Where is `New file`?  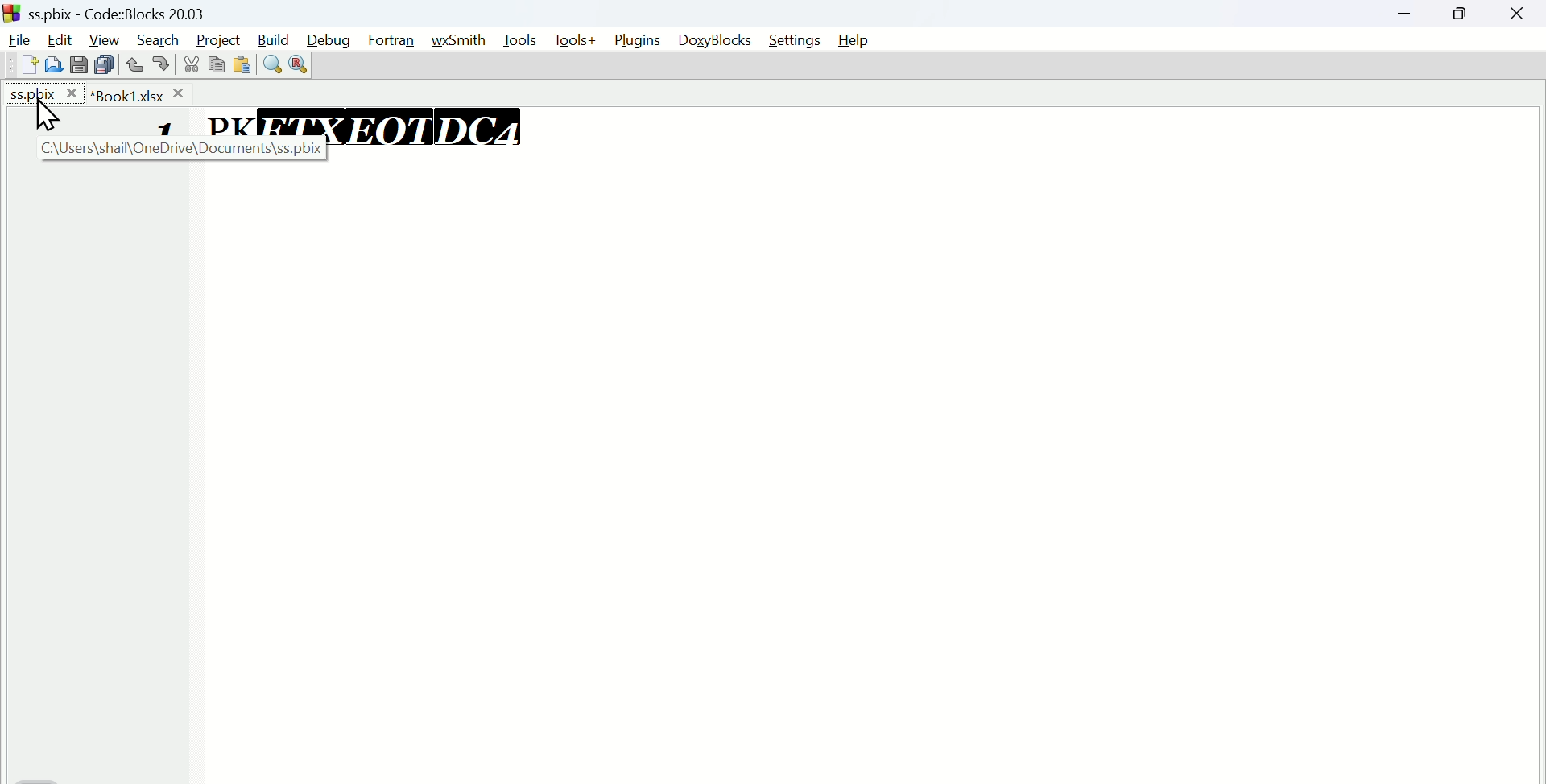 New file is located at coordinates (25, 64).